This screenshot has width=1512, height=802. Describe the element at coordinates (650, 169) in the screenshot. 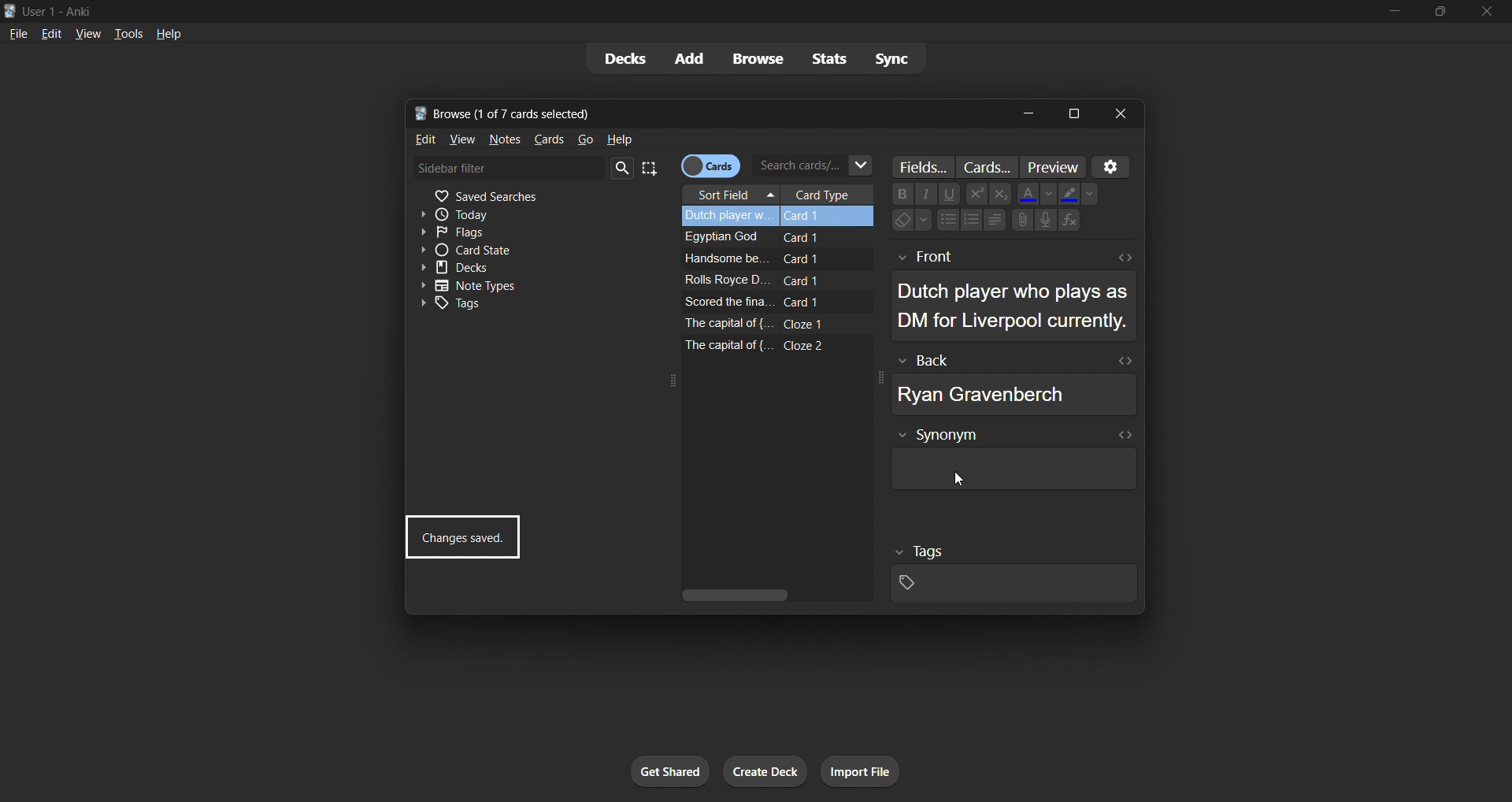

I see `select all` at that location.